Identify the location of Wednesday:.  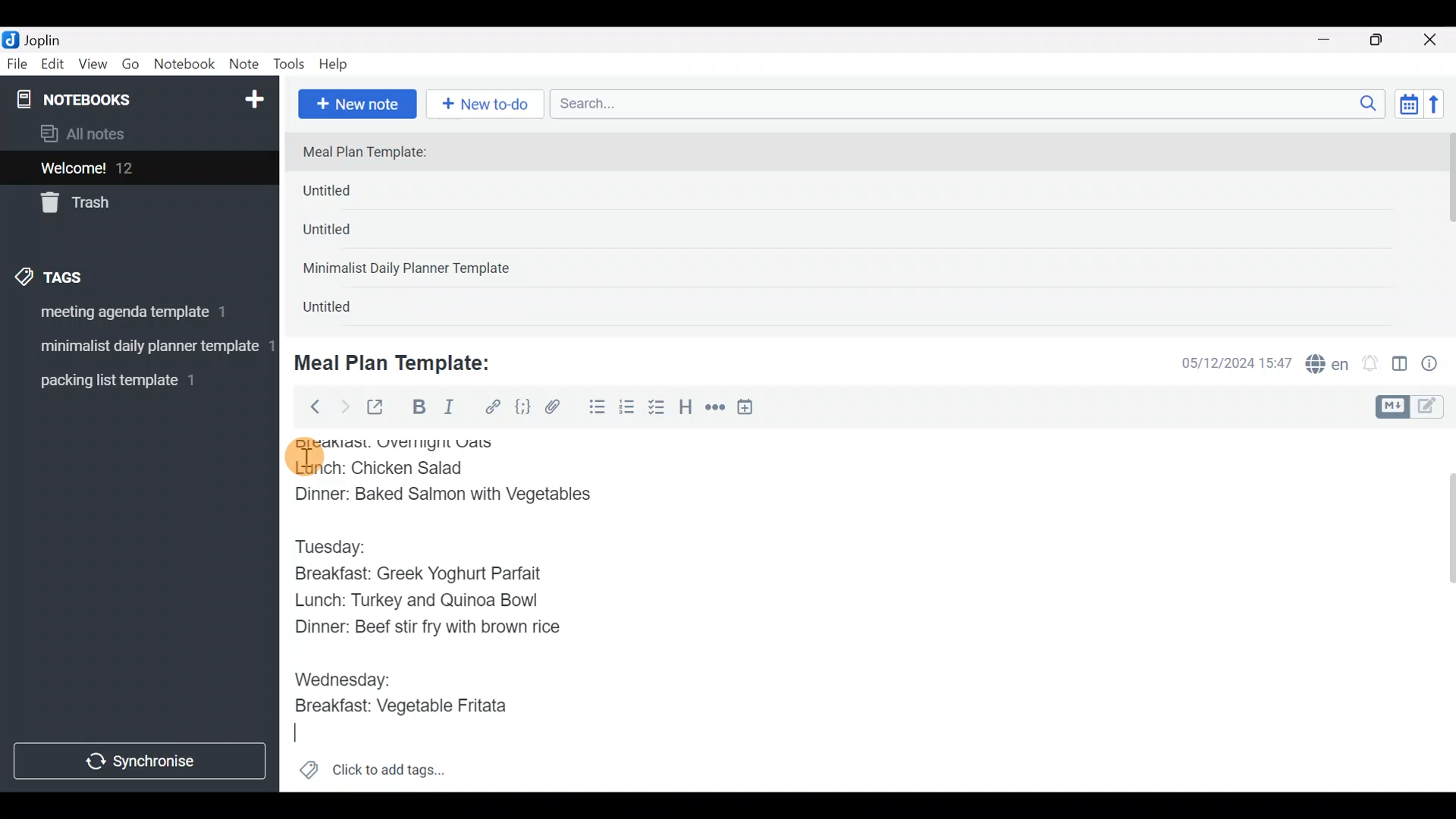
(346, 675).